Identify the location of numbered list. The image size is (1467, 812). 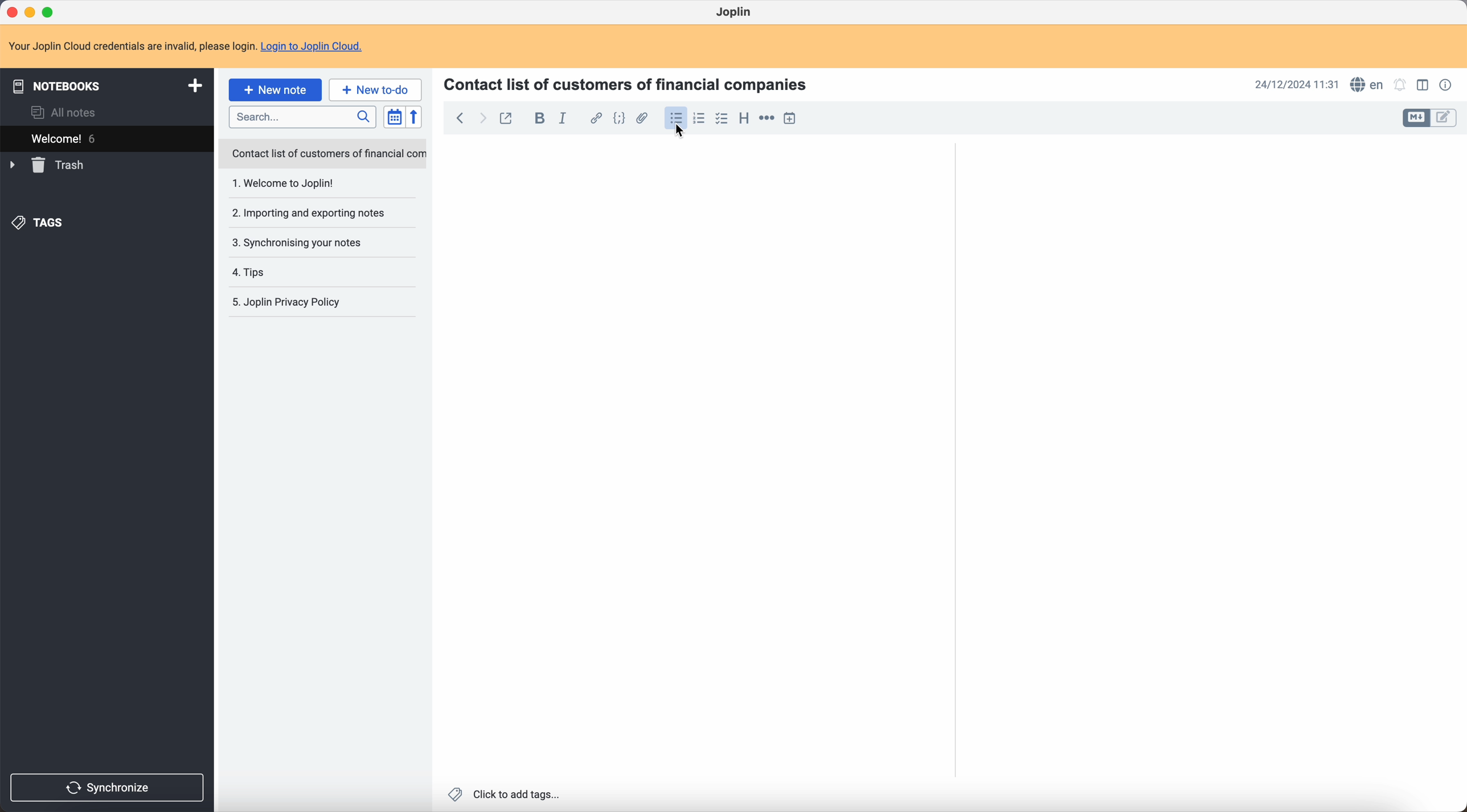
(700, 118).